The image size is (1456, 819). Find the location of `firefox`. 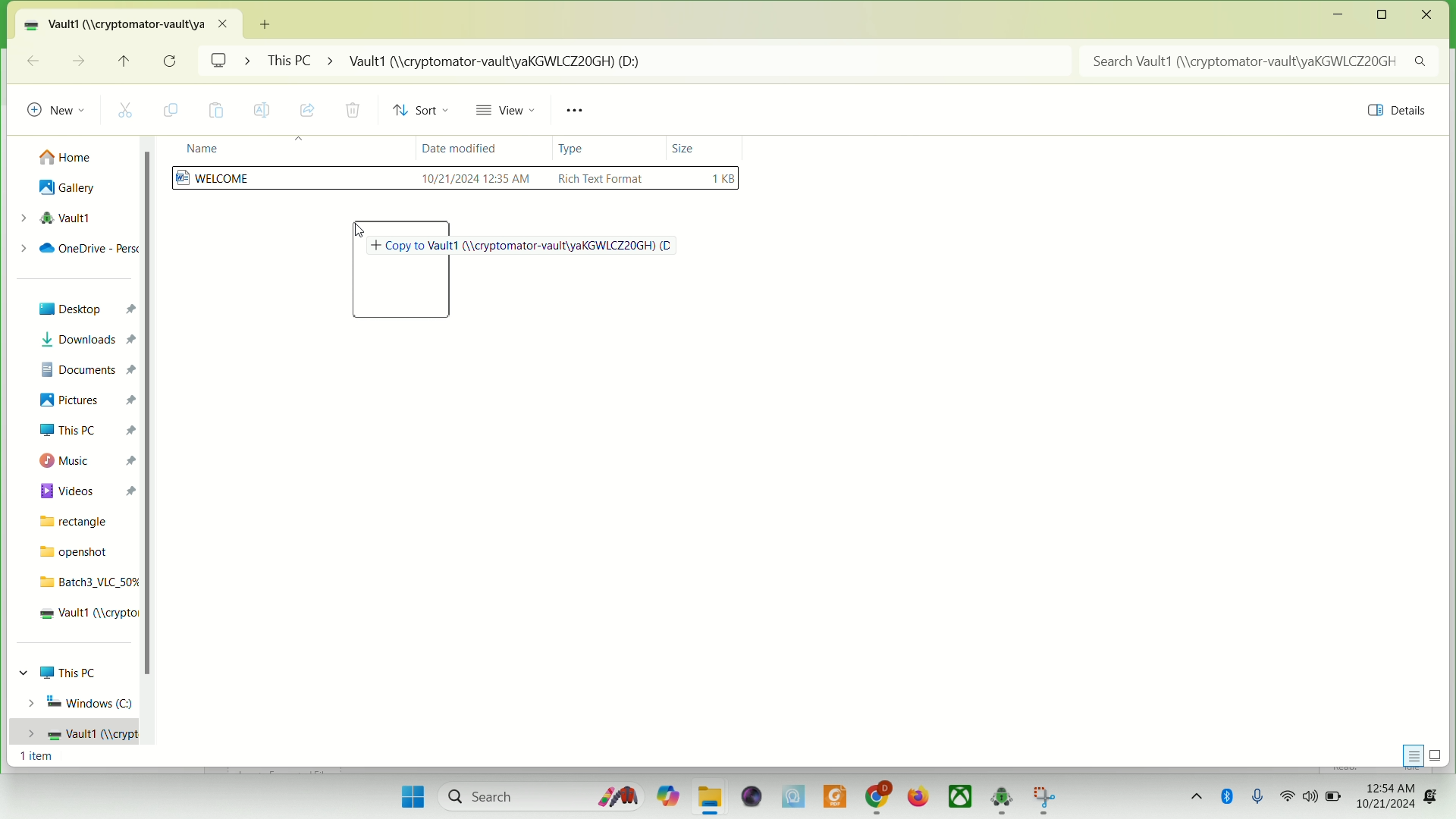

firefox is located at coordinates (918, 796).